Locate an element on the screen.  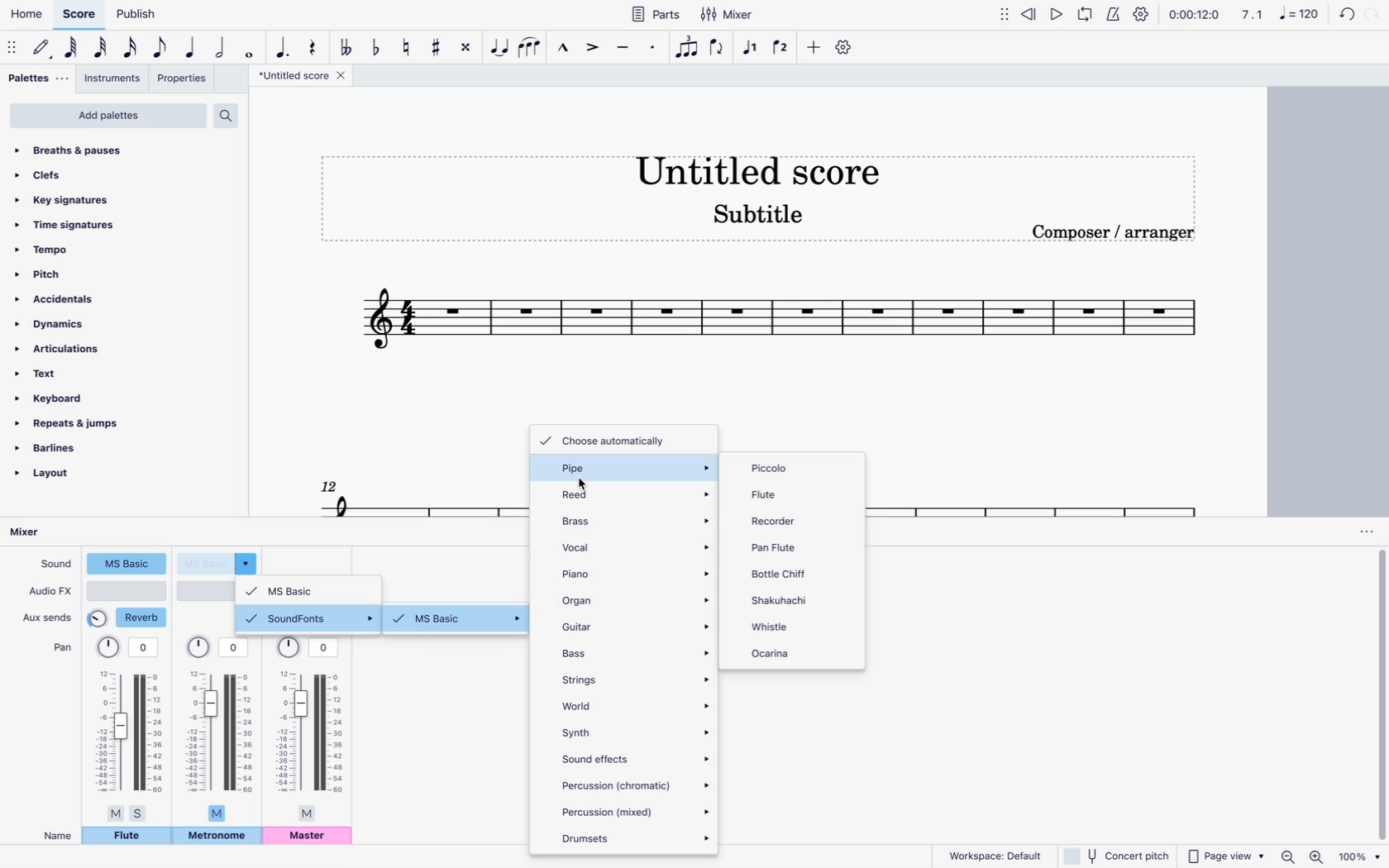
settings is located at coordinates (845, 48).